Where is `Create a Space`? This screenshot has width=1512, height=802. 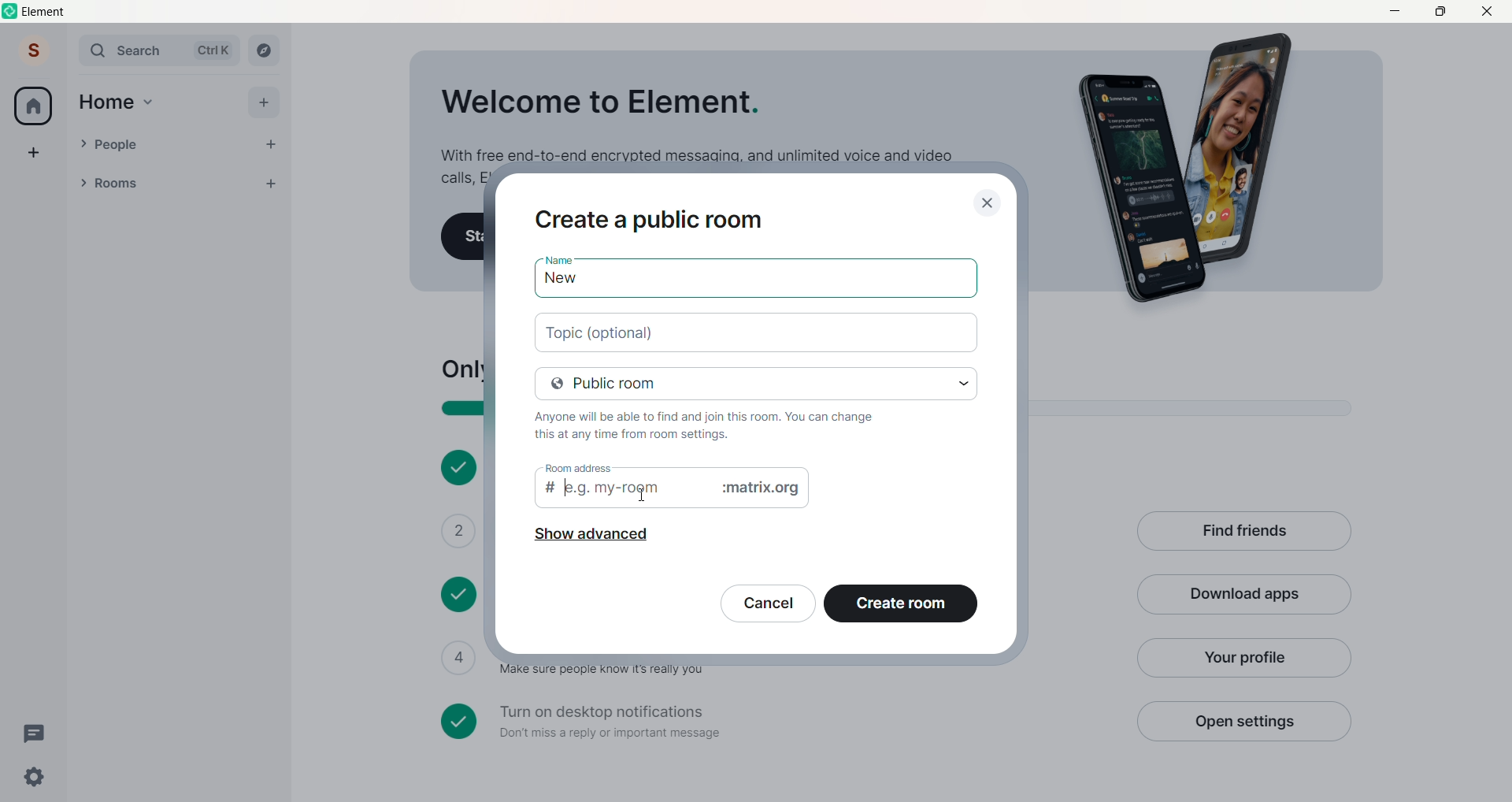 Create a Space is located at coordinates (34, 152).